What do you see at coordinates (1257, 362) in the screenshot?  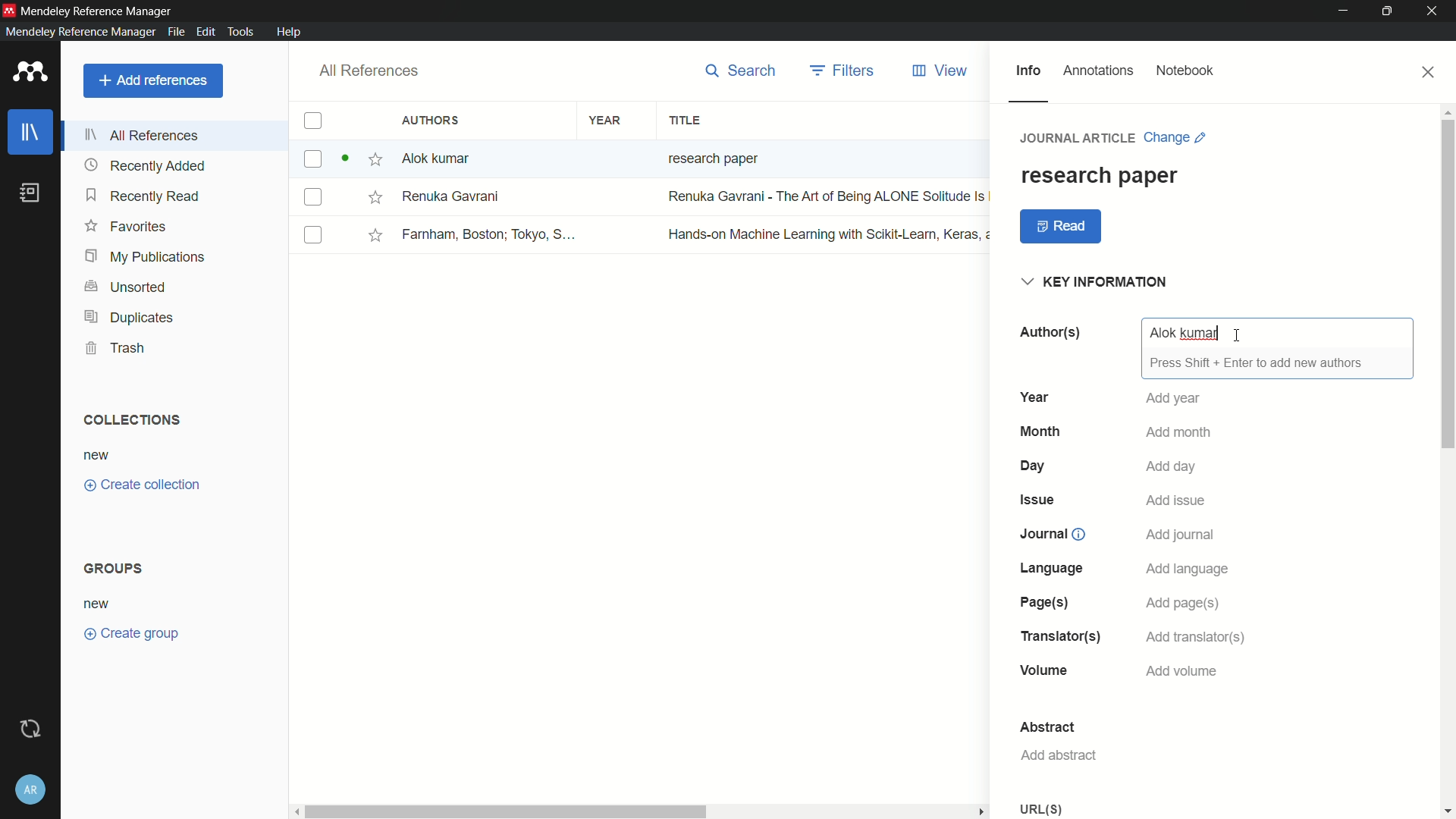 I see `press Shift+Enter to add mew authors` at bounding box center [1257, 362].